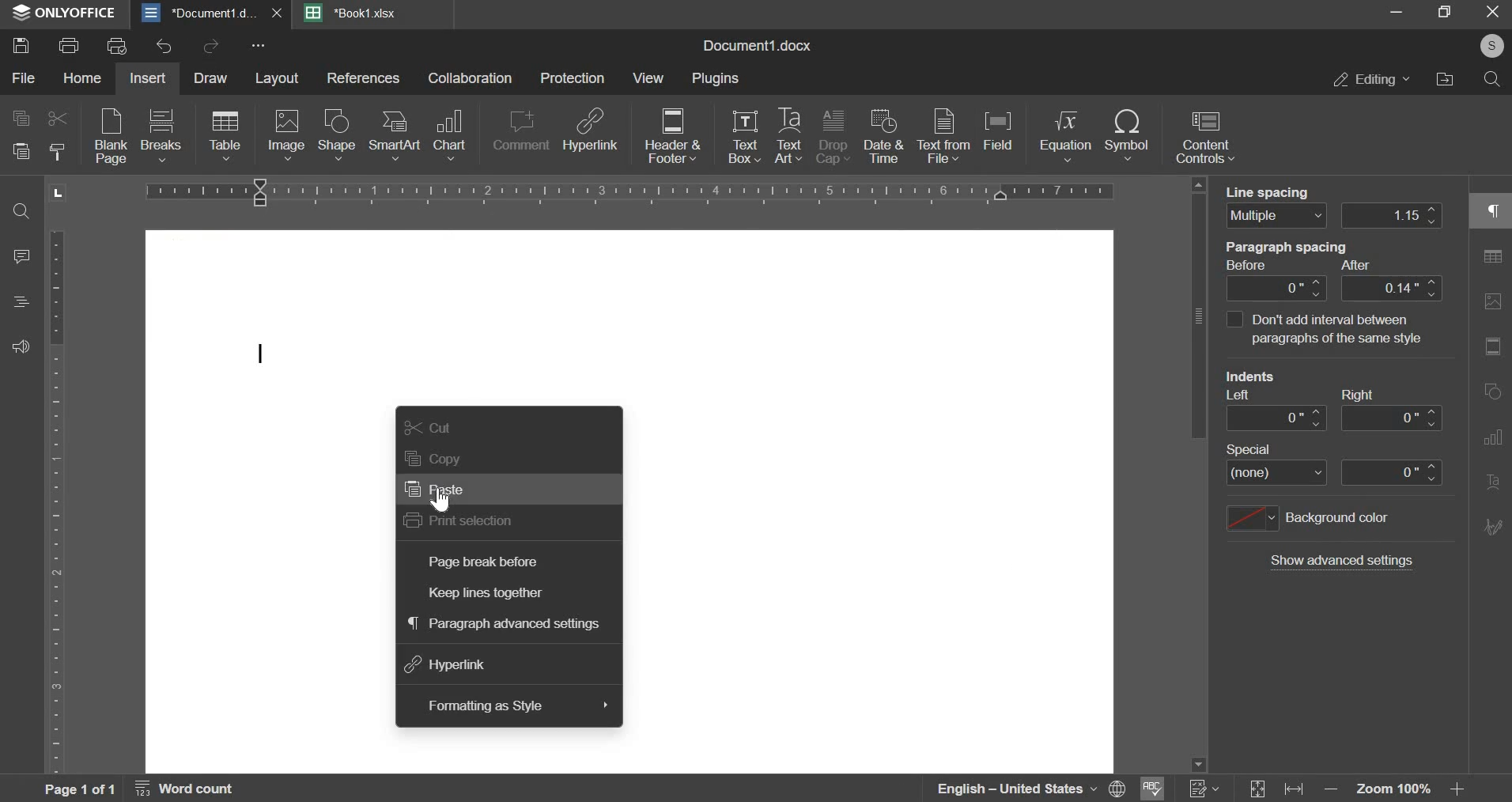  What do you see at coordinates (266, 354) in the screenshot?
I see `text icon` at bounding box center [266, 354].